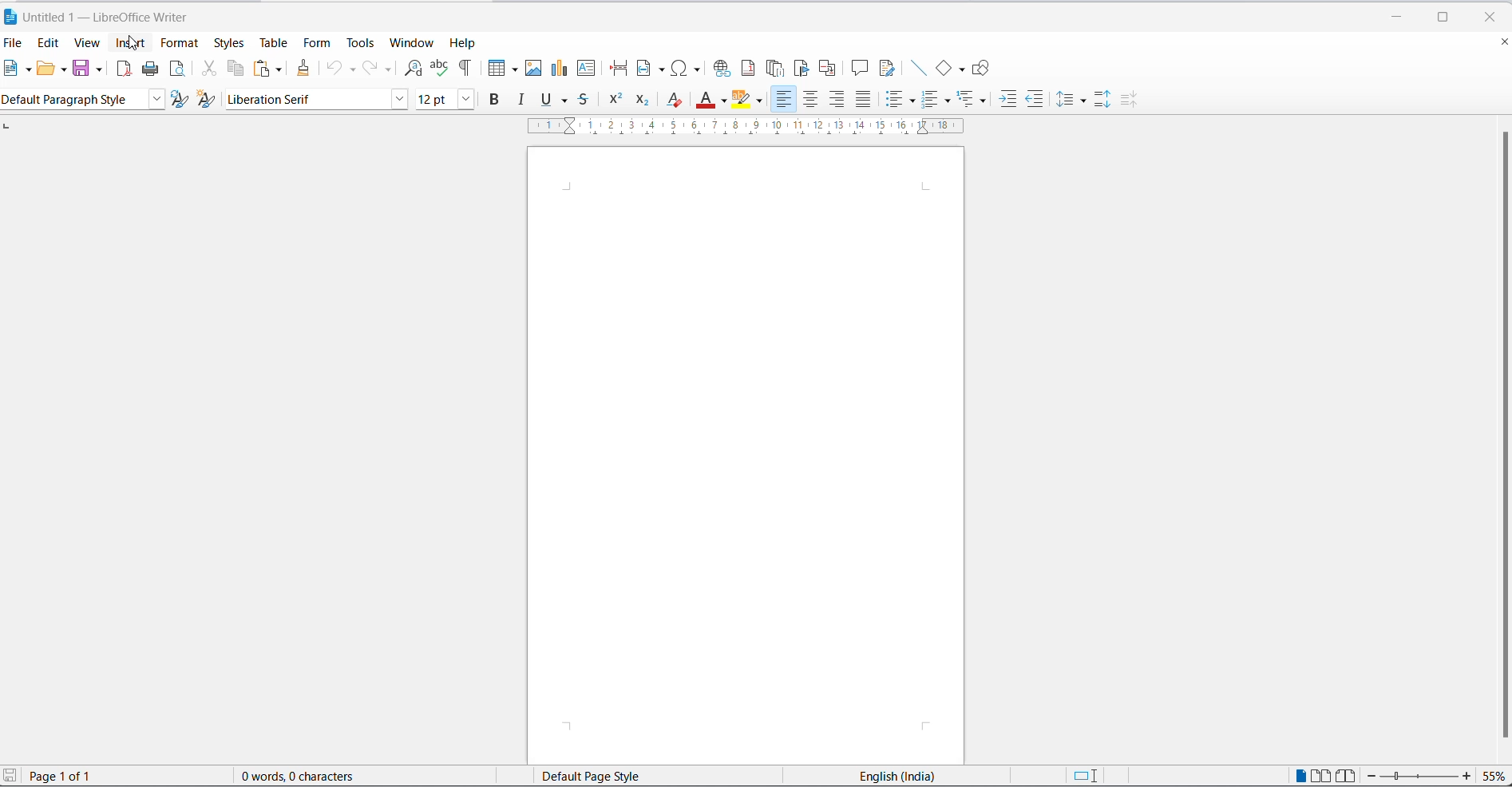 The image size is (1512, 787). What do you see at coordinates (333, 69) in the screenshot?
I see `undo` at bounding box center [333, 69].